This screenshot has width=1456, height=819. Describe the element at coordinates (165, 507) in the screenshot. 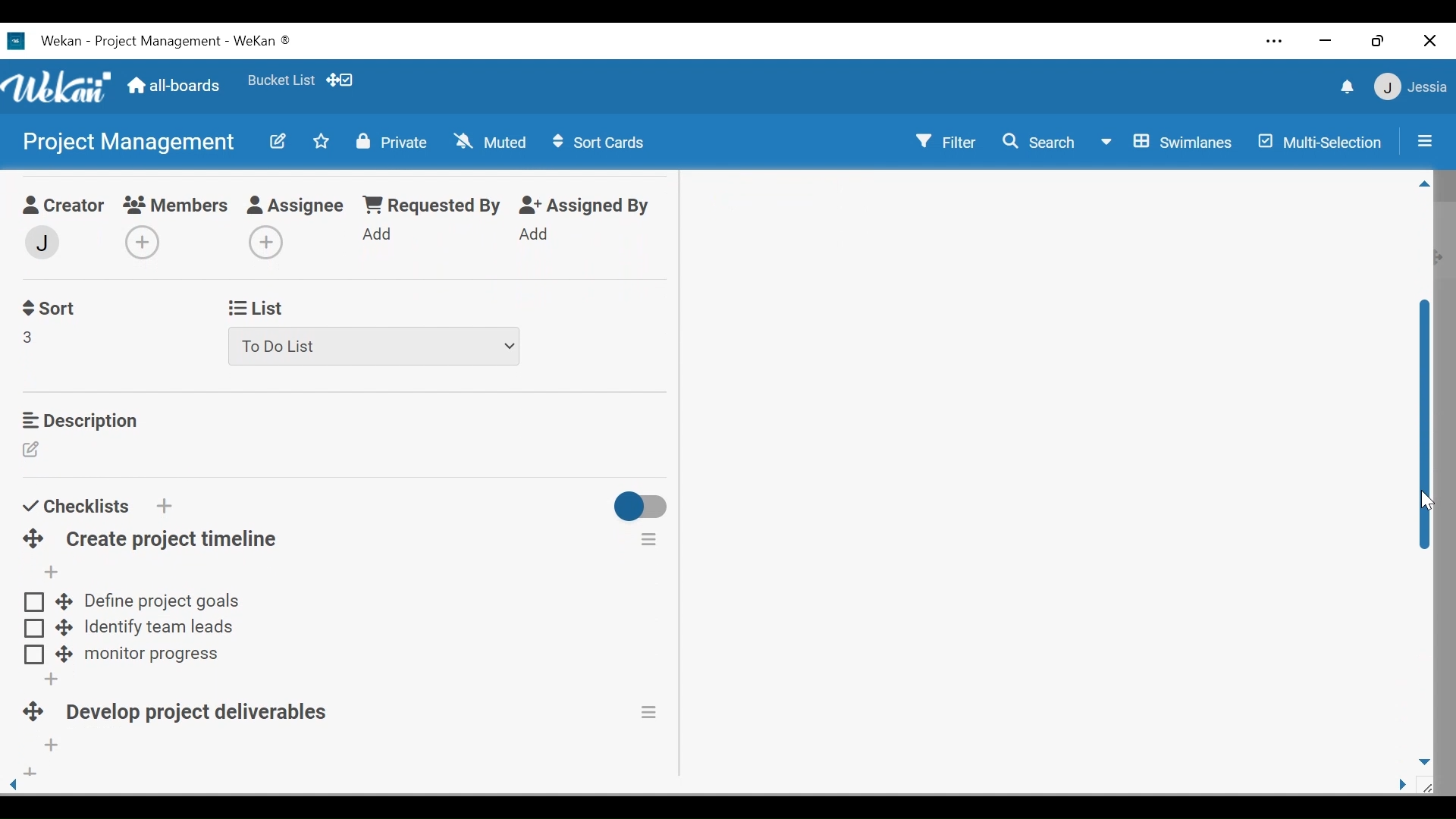

I see `` at that location.